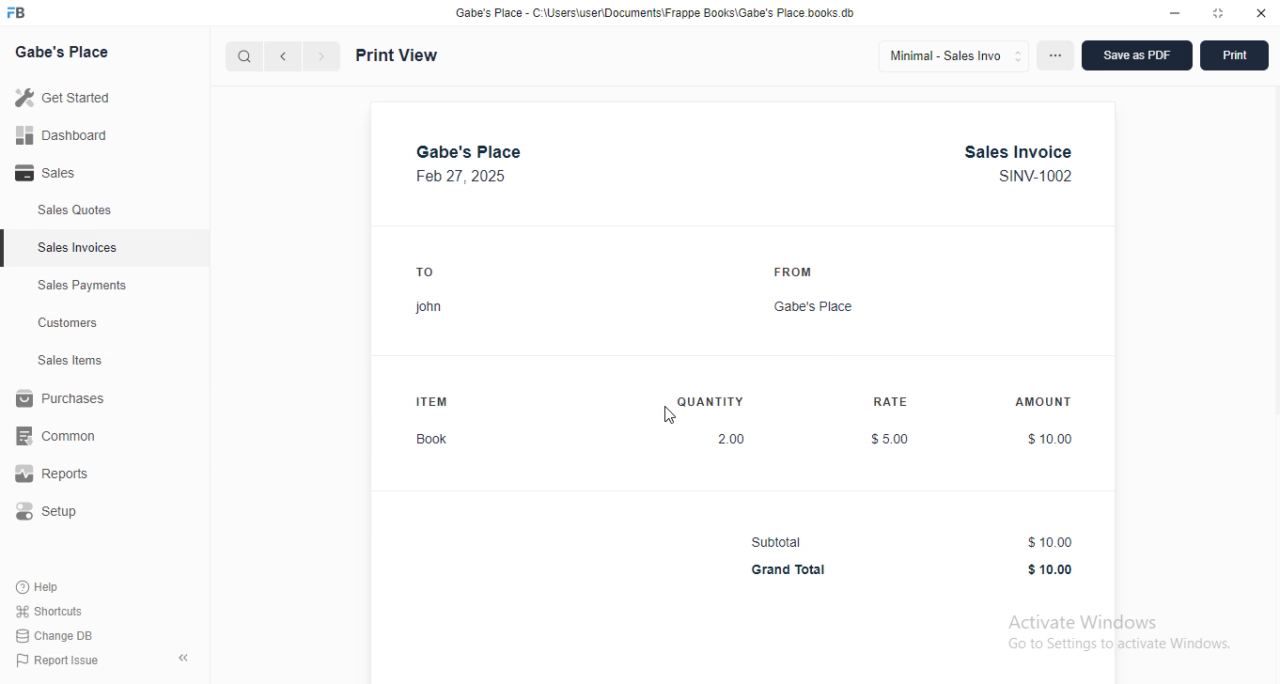  I want to click on print view, so click(396, 56).